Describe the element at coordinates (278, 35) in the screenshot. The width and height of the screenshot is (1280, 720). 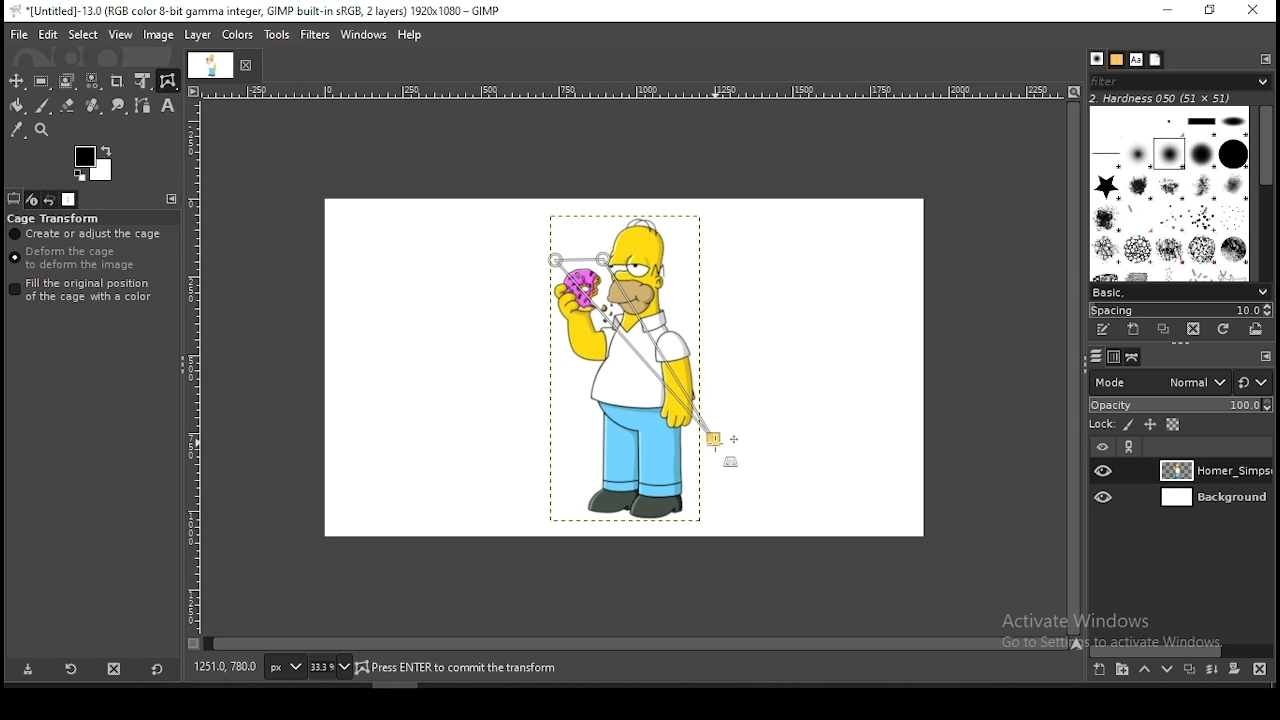
I see `tools` at that location.